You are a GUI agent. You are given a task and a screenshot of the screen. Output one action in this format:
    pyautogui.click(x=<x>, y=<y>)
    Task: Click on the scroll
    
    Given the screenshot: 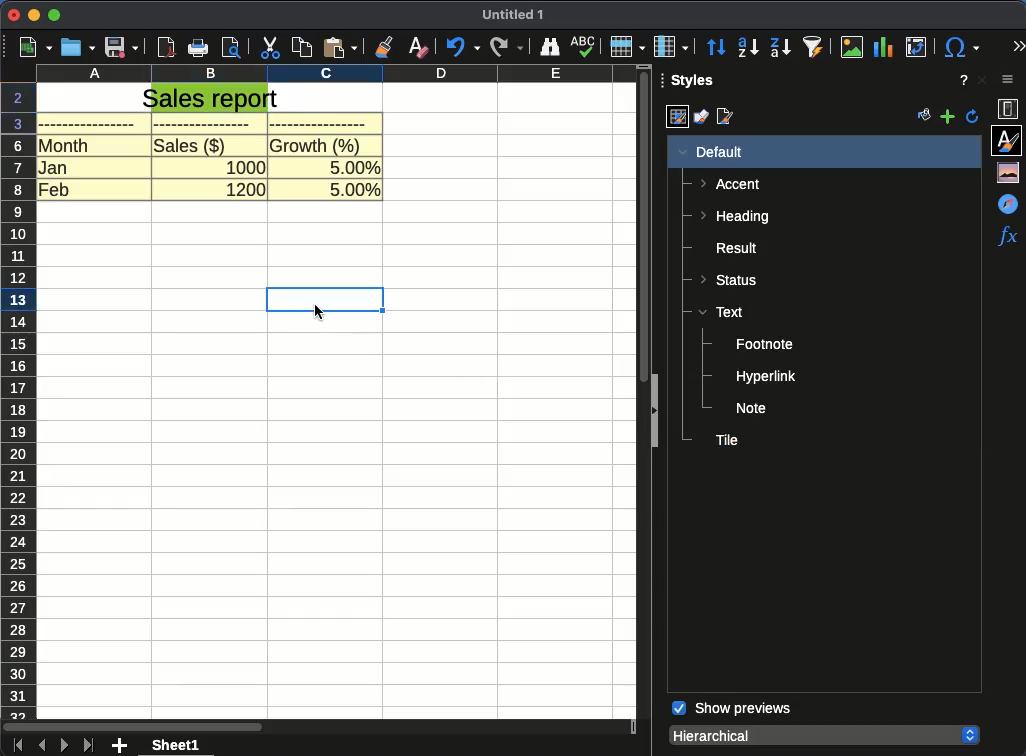 What is the action you would take?
    pyautogui.click(x=644, y=225)
    